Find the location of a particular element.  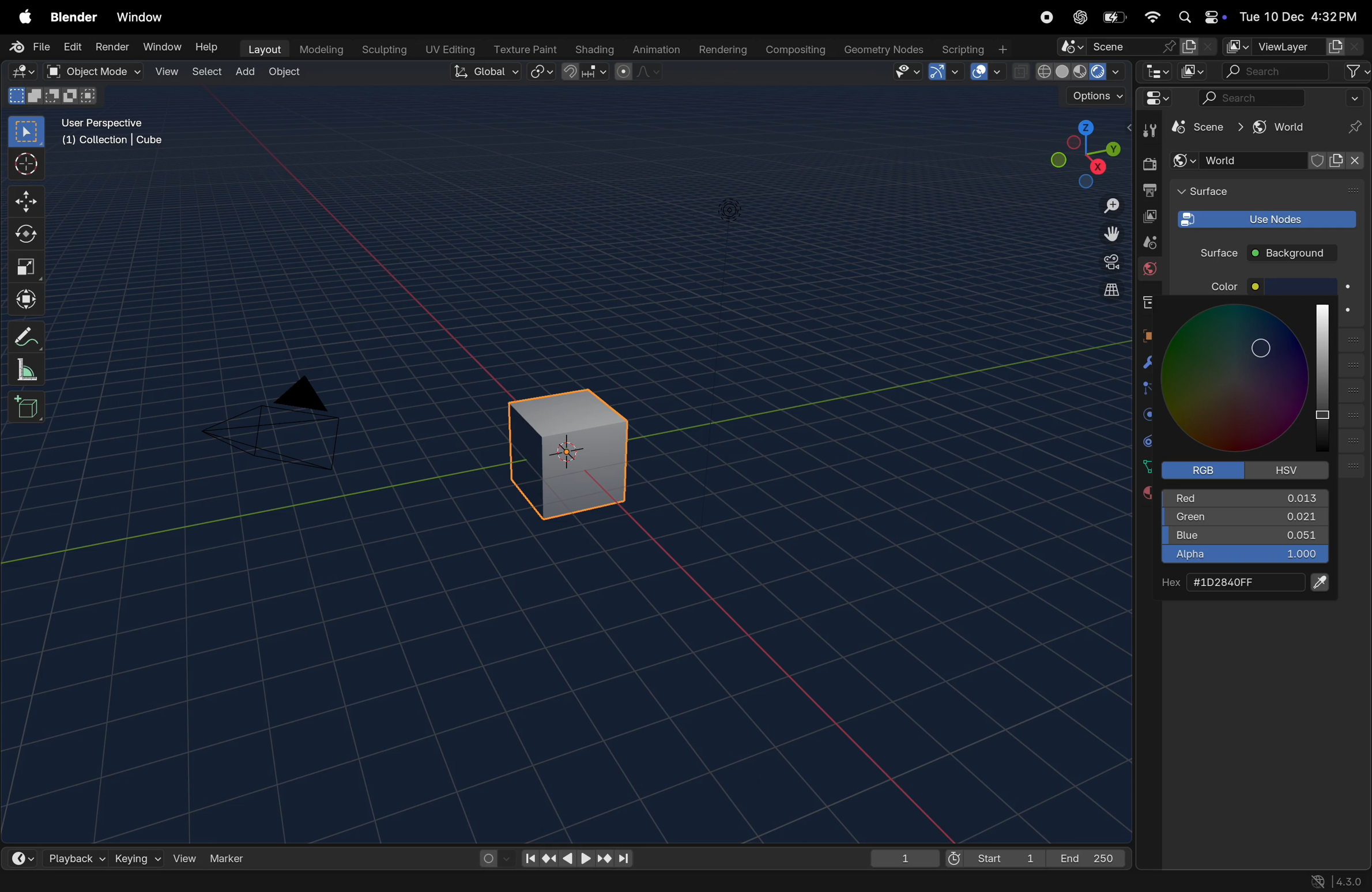

® Background is located at coordinates (1298, 253).